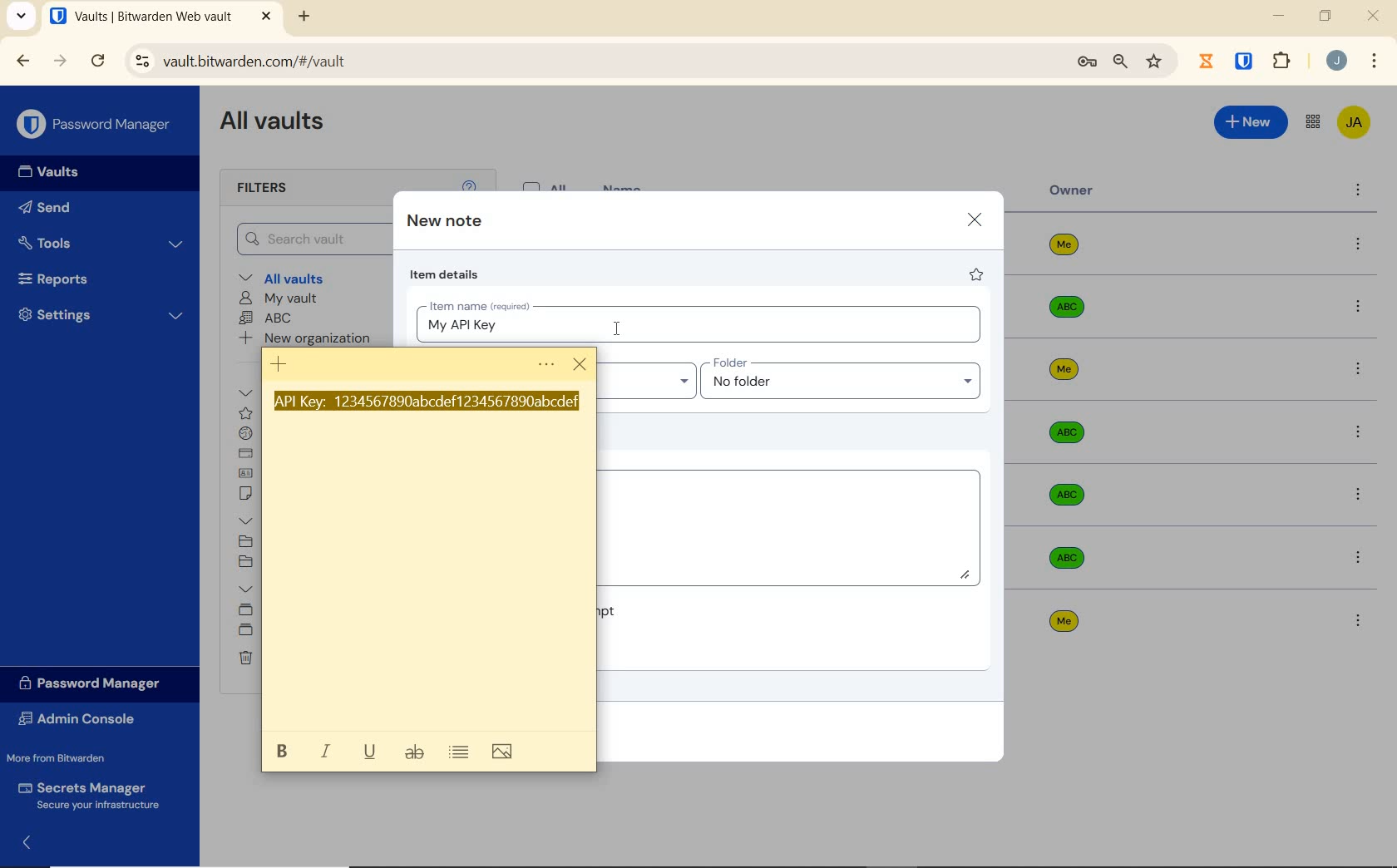  What do you see at coordinates (245, 587) in the screenshot?
I see `Collections` at bounding box center [245, 587].